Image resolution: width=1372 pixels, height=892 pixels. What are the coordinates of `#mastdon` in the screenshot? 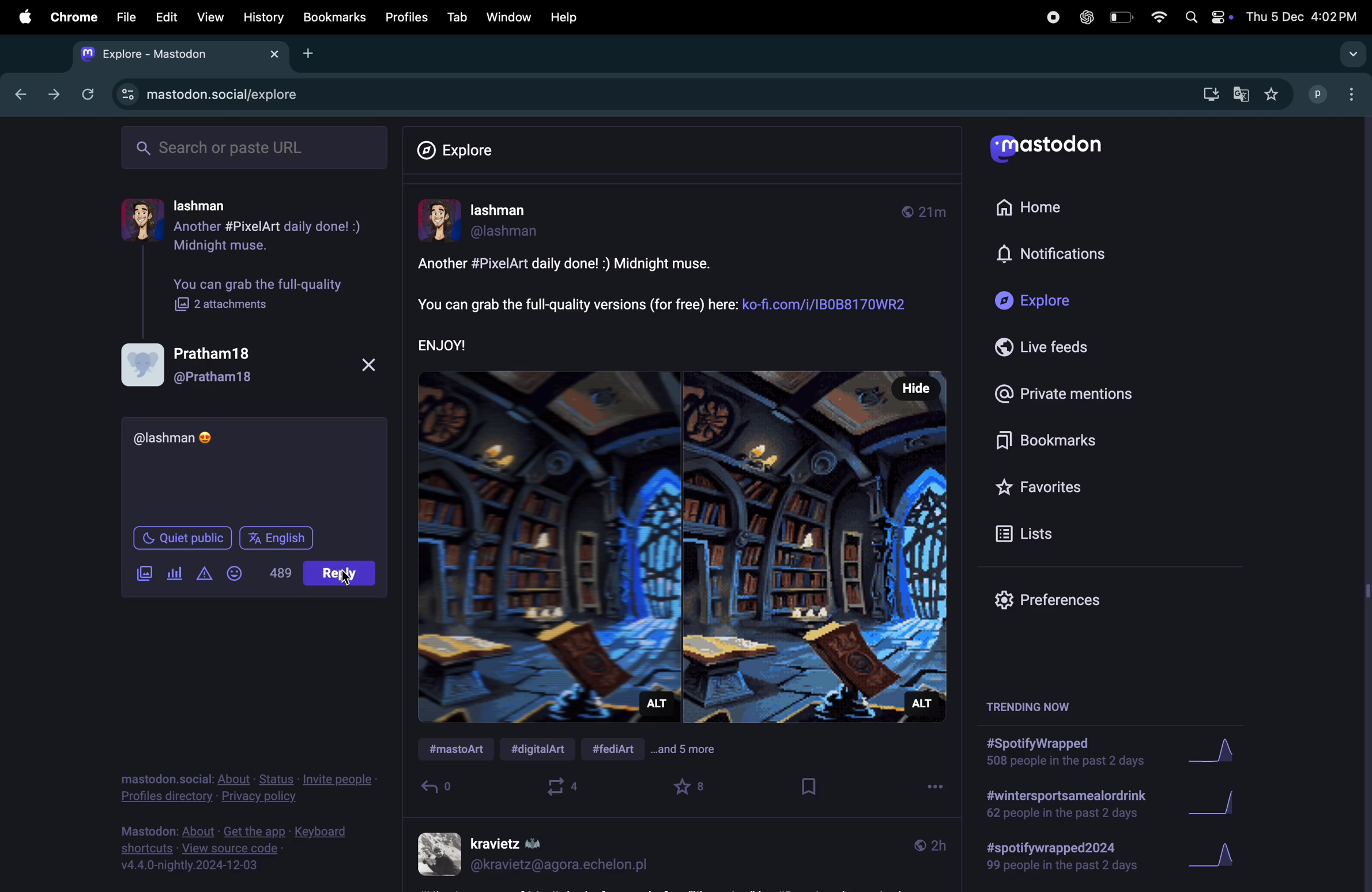 It's located at (458, 751).